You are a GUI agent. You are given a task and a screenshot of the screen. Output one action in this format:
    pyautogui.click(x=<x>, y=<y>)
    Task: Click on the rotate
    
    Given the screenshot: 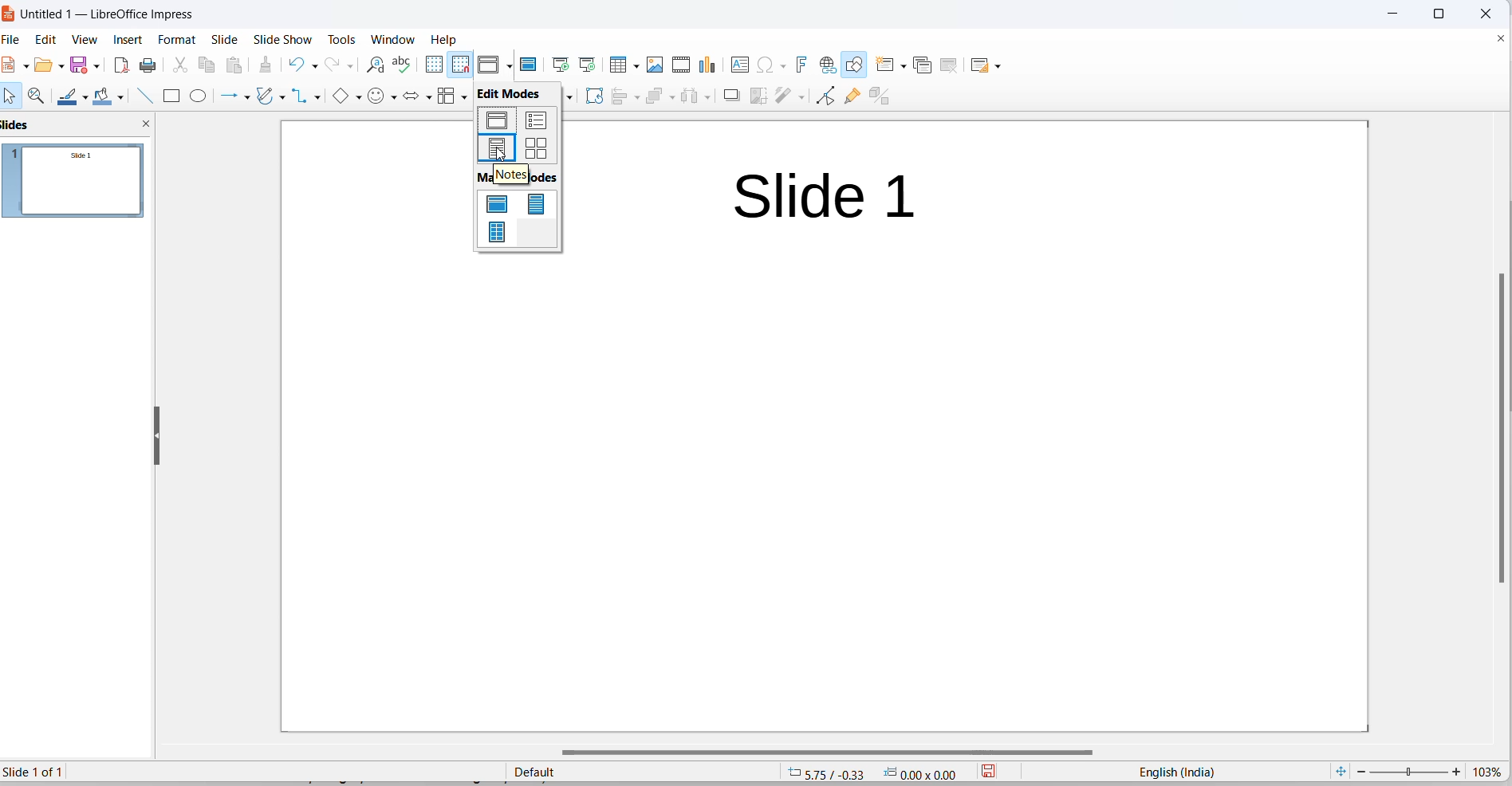 What is the action you would take?
    pyautogui.click(x=598, y=96)
    